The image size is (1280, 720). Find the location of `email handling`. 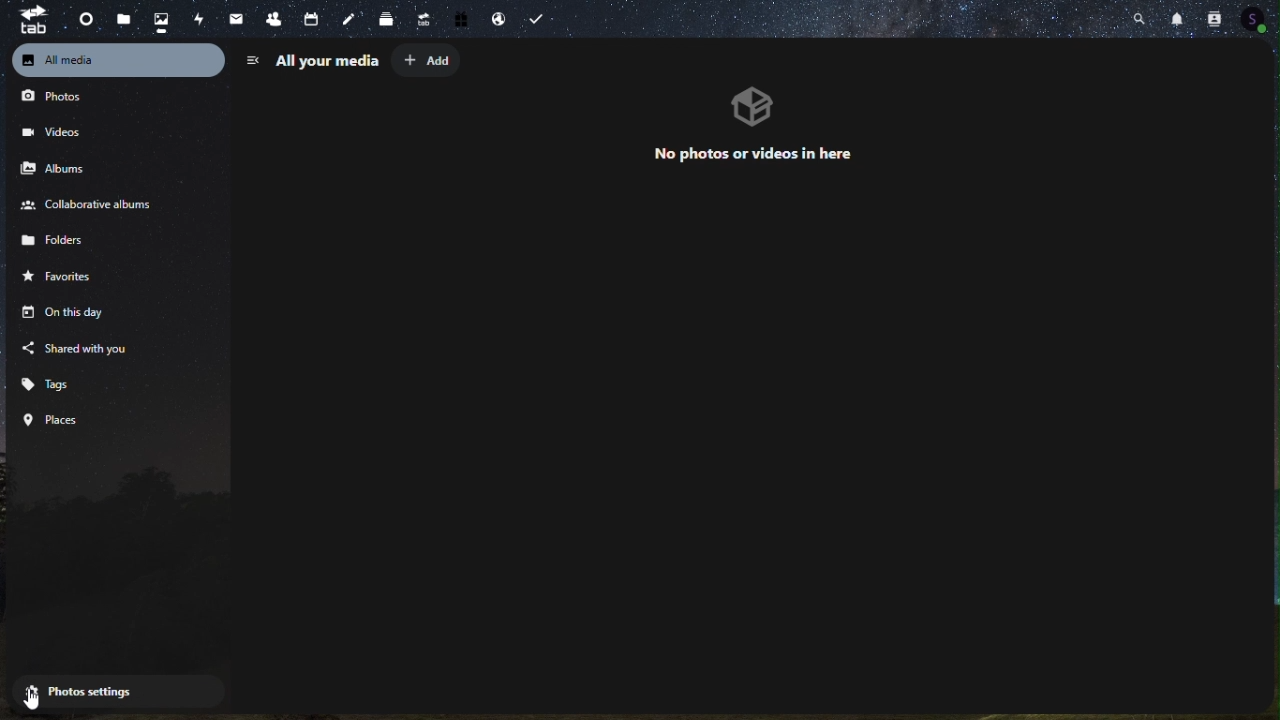

email handling is located at coordinates (500, 19).